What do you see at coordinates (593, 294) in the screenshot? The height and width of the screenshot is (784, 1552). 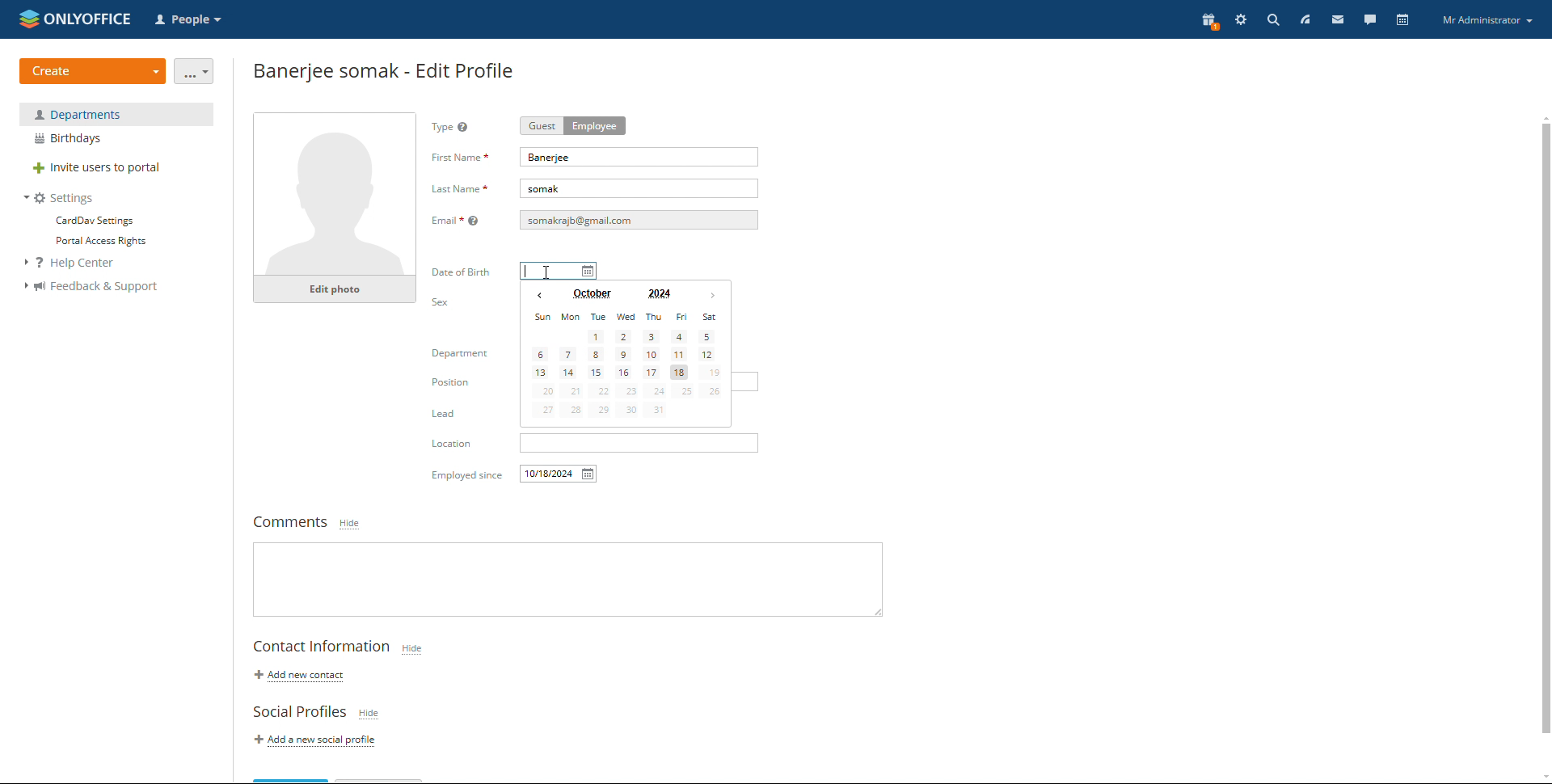 I see `set month` at bounding box center [593, 294].